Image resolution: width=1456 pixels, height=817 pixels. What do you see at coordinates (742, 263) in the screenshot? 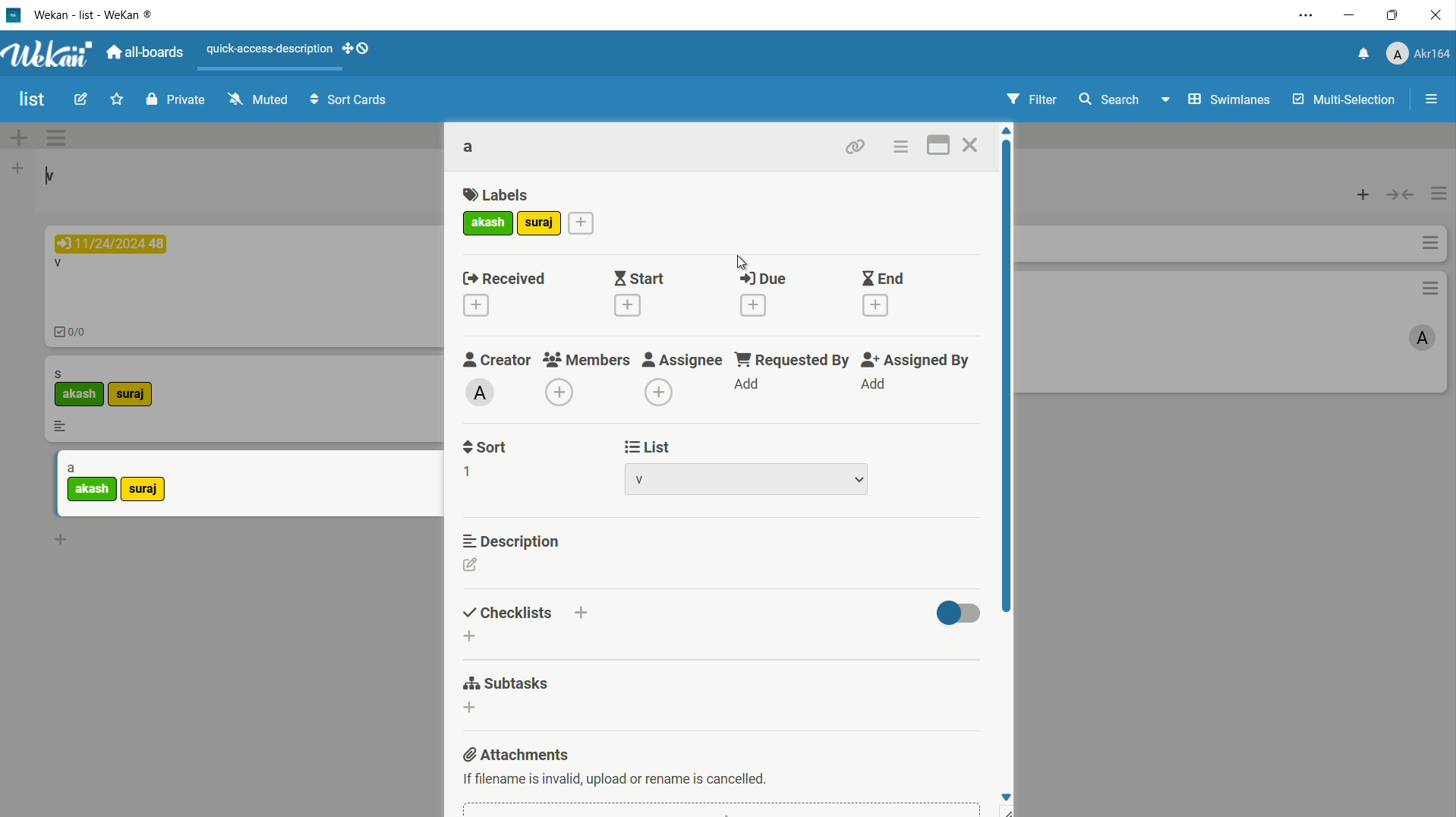
I see `cursor` at bounding box center [742, 263].